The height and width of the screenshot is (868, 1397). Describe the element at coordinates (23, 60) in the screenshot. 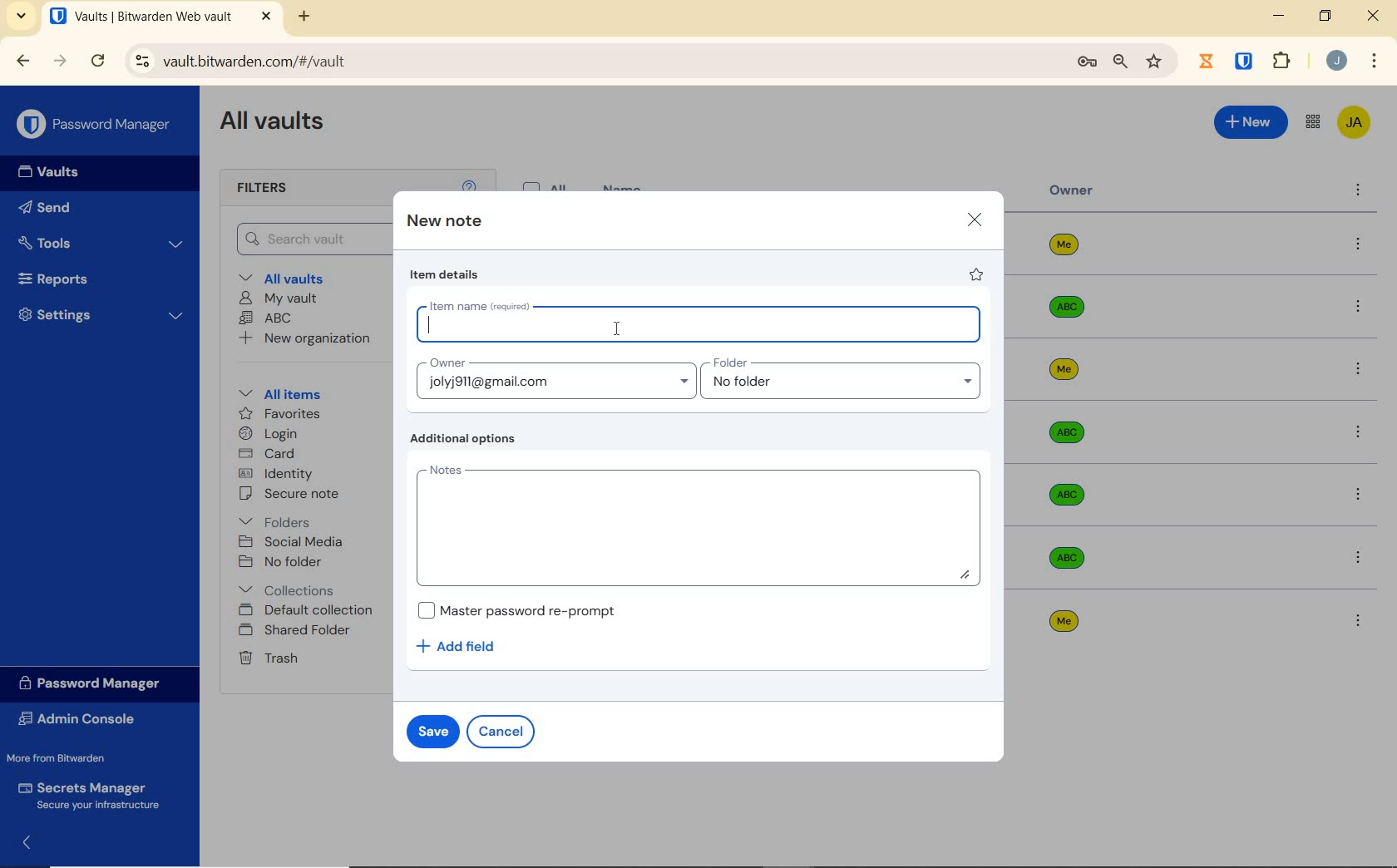

I see `BACK` at that location.